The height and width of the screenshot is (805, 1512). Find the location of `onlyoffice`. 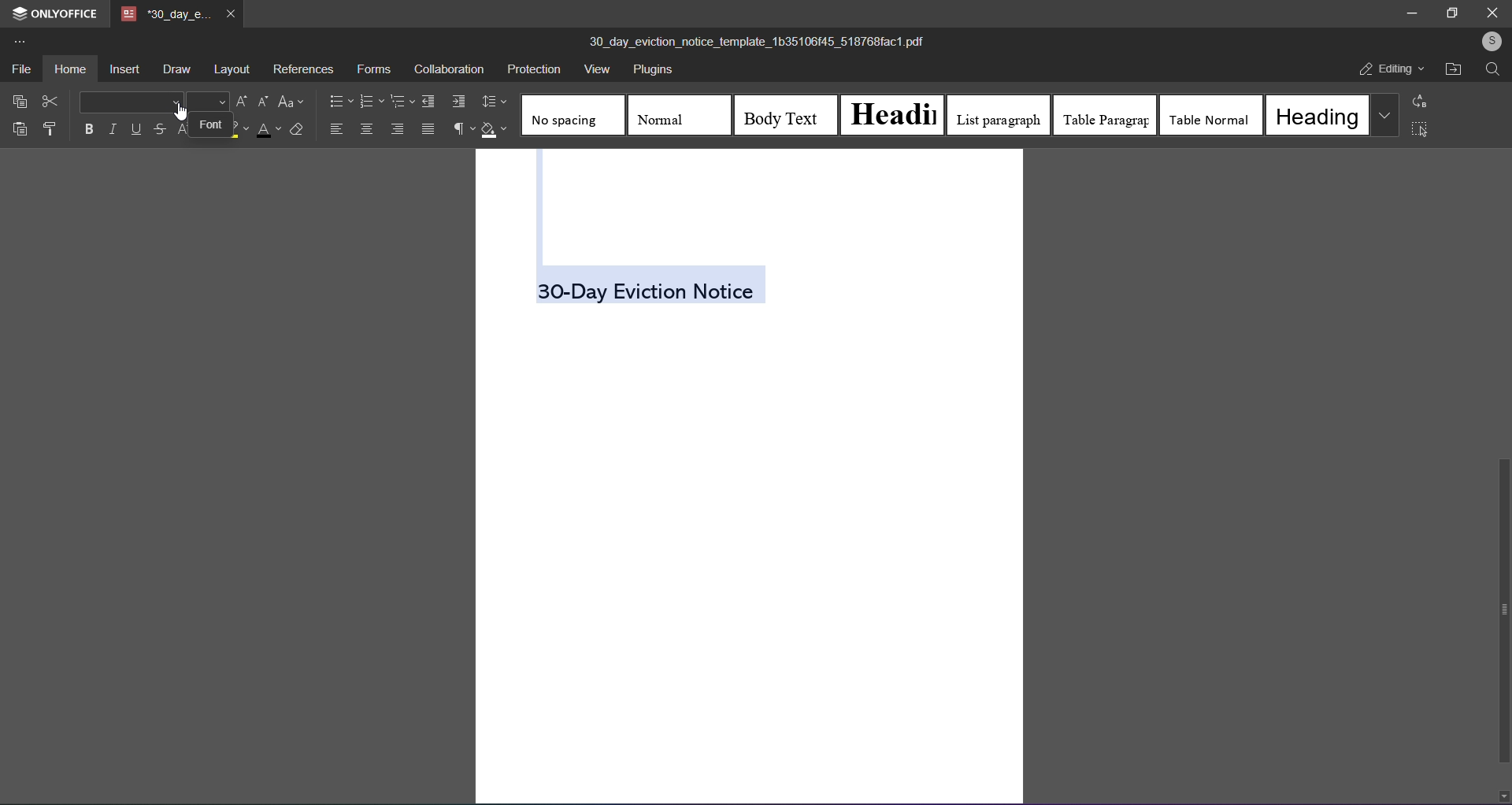

onlyoffice is located at coordinates (52, 12).